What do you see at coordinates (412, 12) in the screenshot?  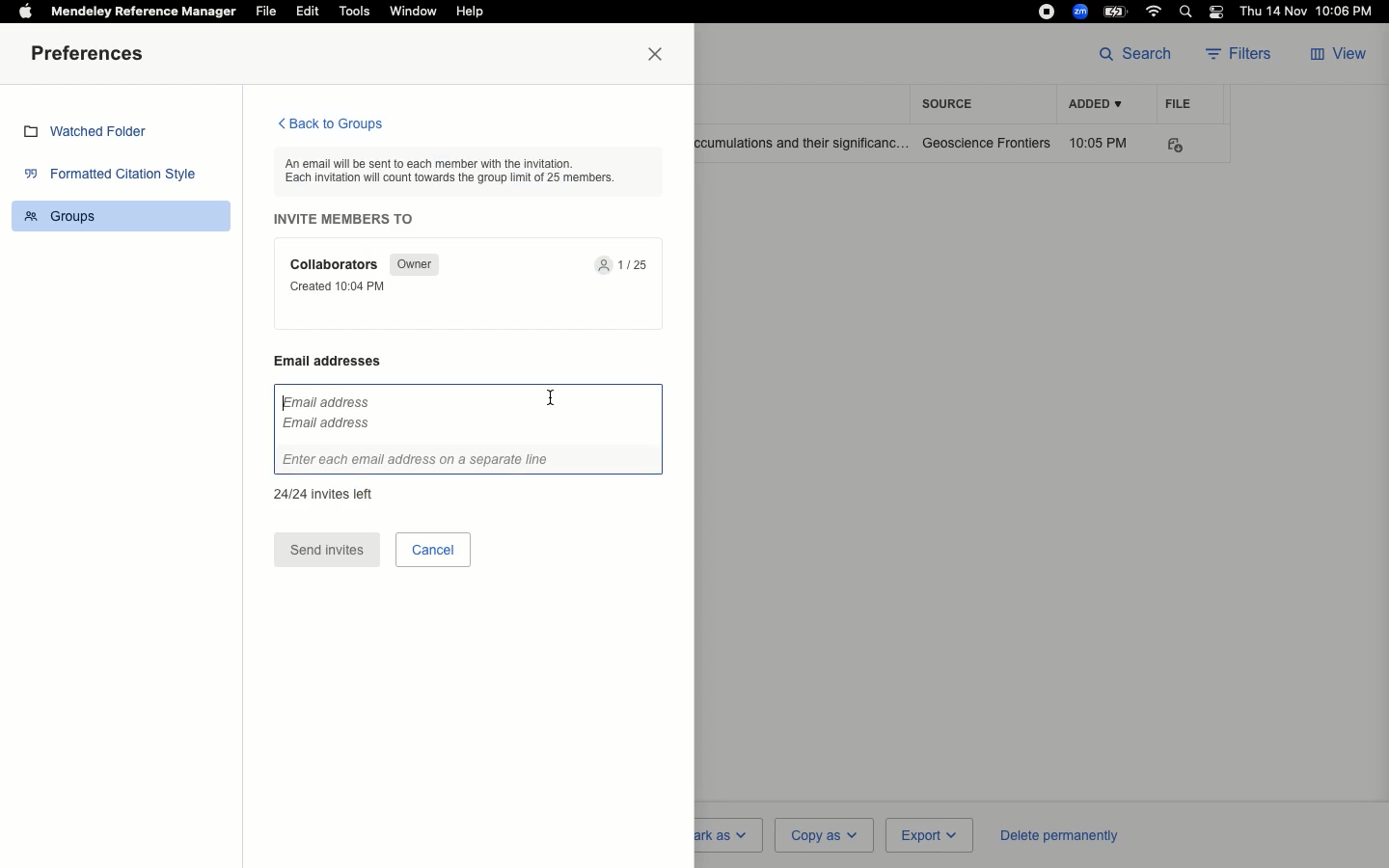 I see `Window` at bounding box center [412, 12].